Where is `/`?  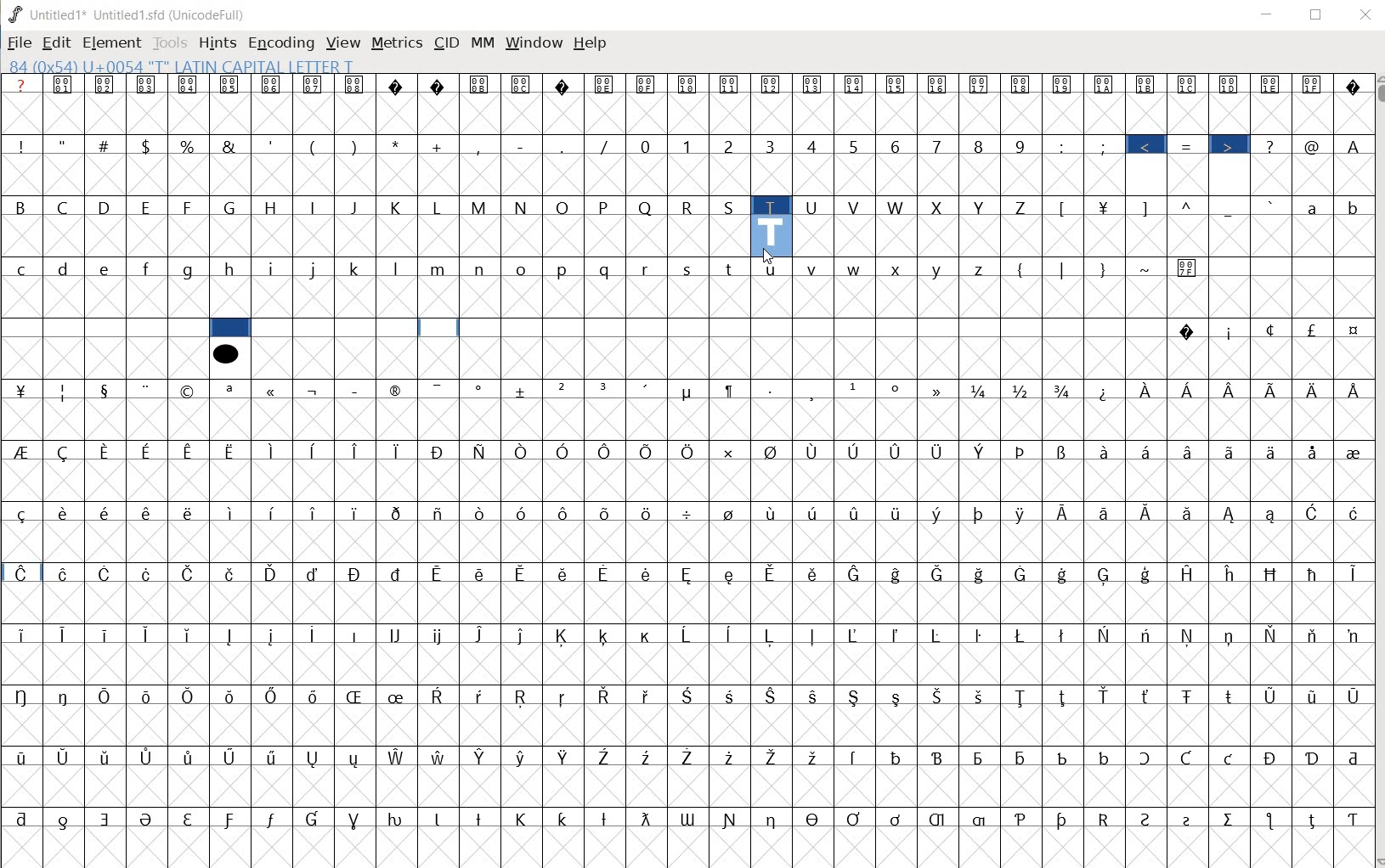
/ is located at coordinates (606, 146).